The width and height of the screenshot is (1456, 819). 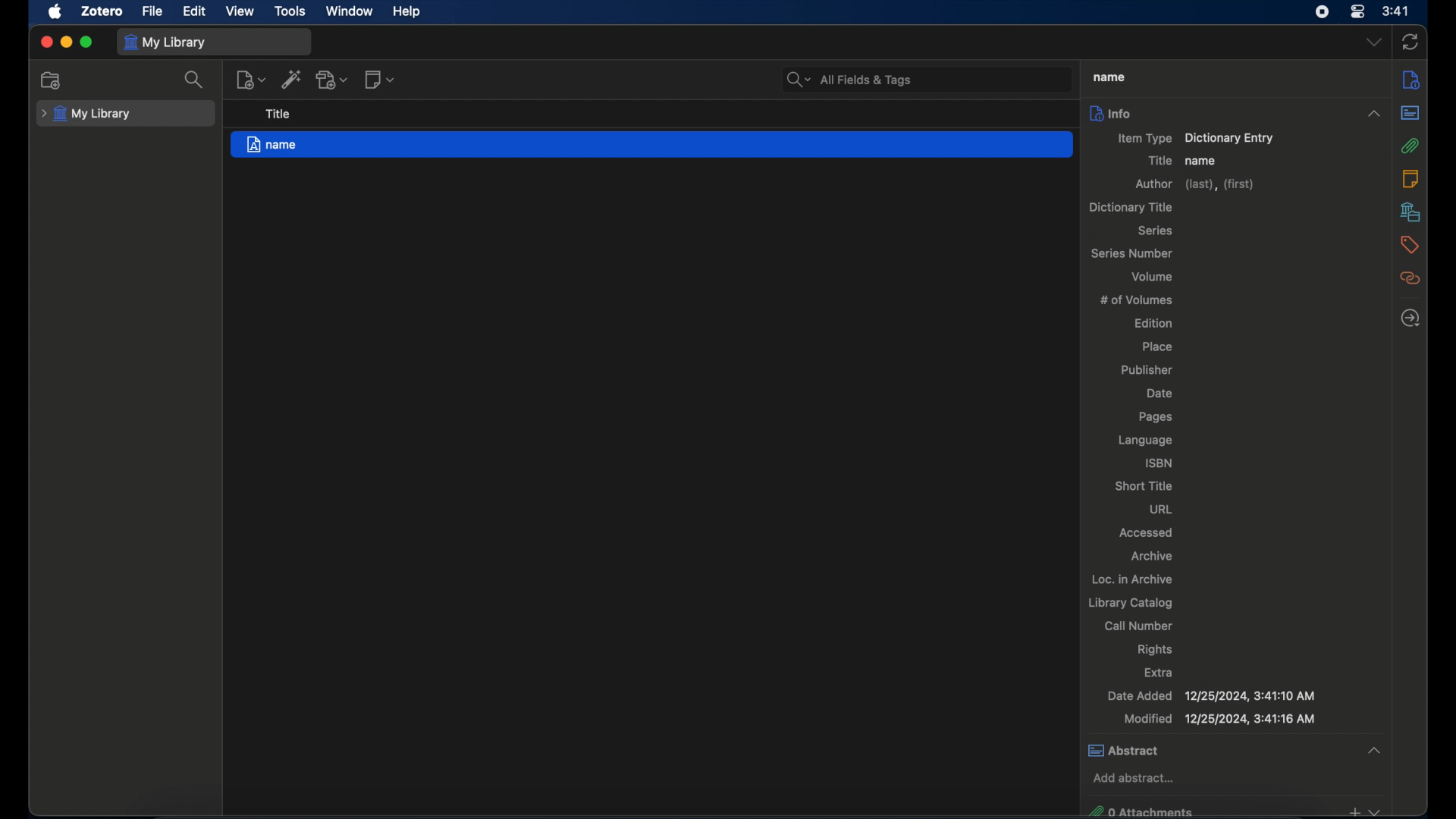 I want to click on control center, so click(x=1357, y=11).